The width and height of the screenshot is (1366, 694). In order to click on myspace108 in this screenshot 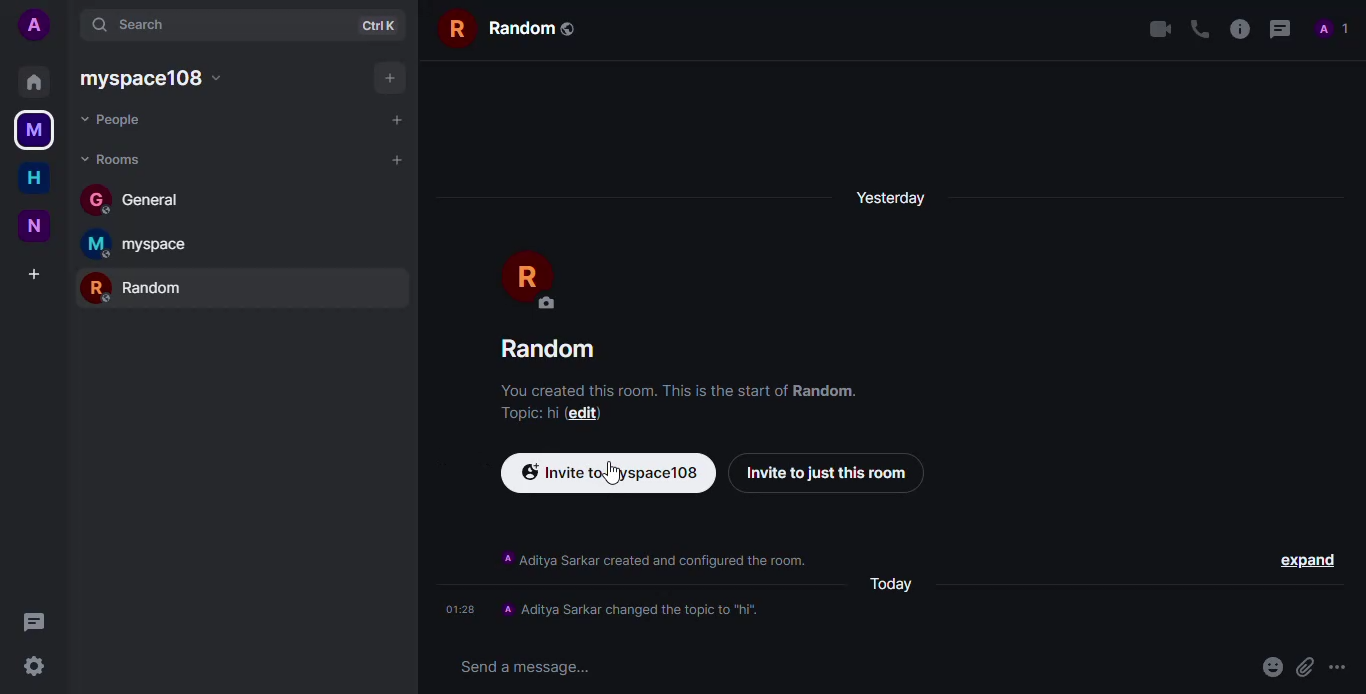, I will do `click(160, 78)`.